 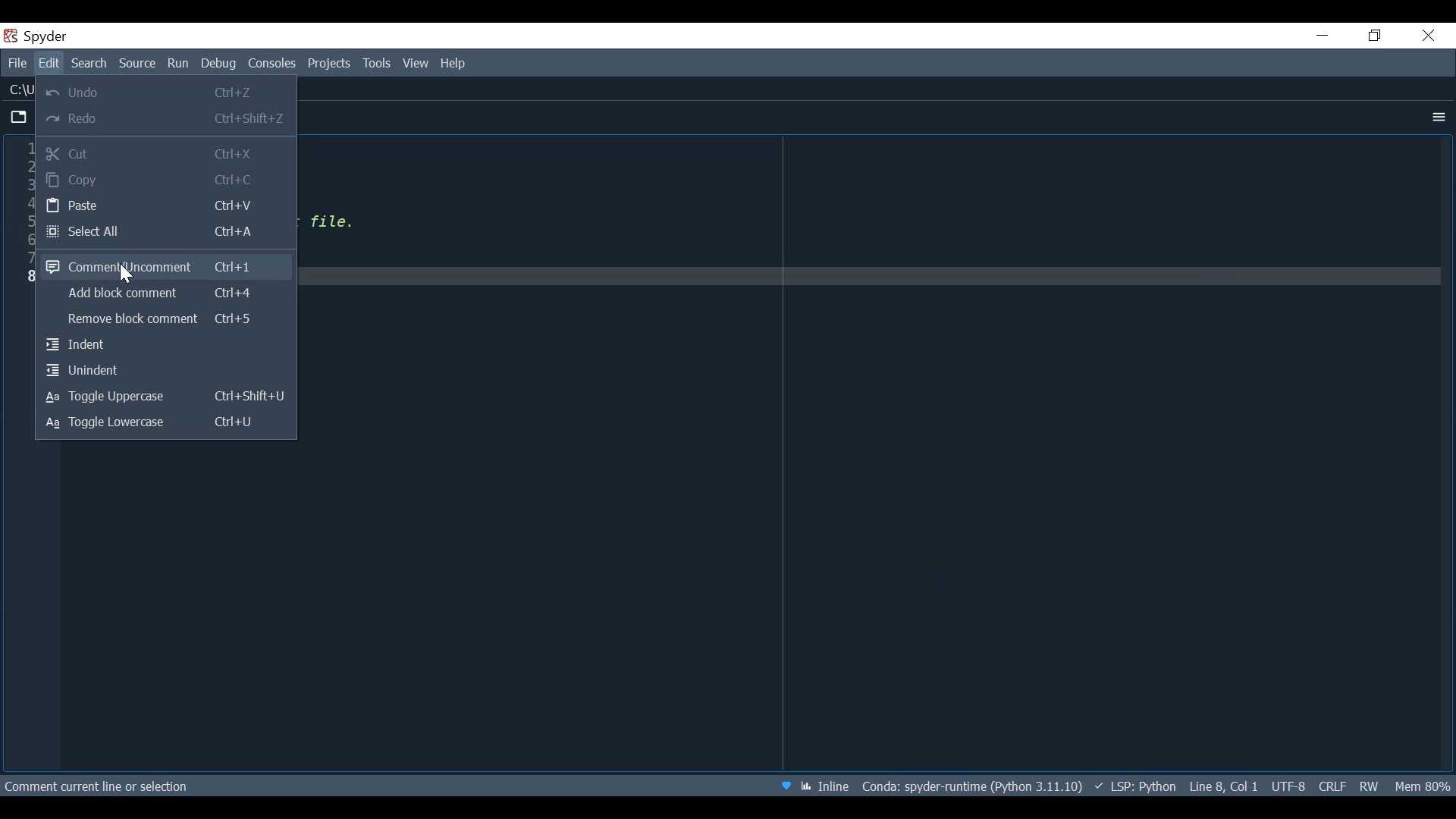 I want to click on Help, so click(x=458, y=64).